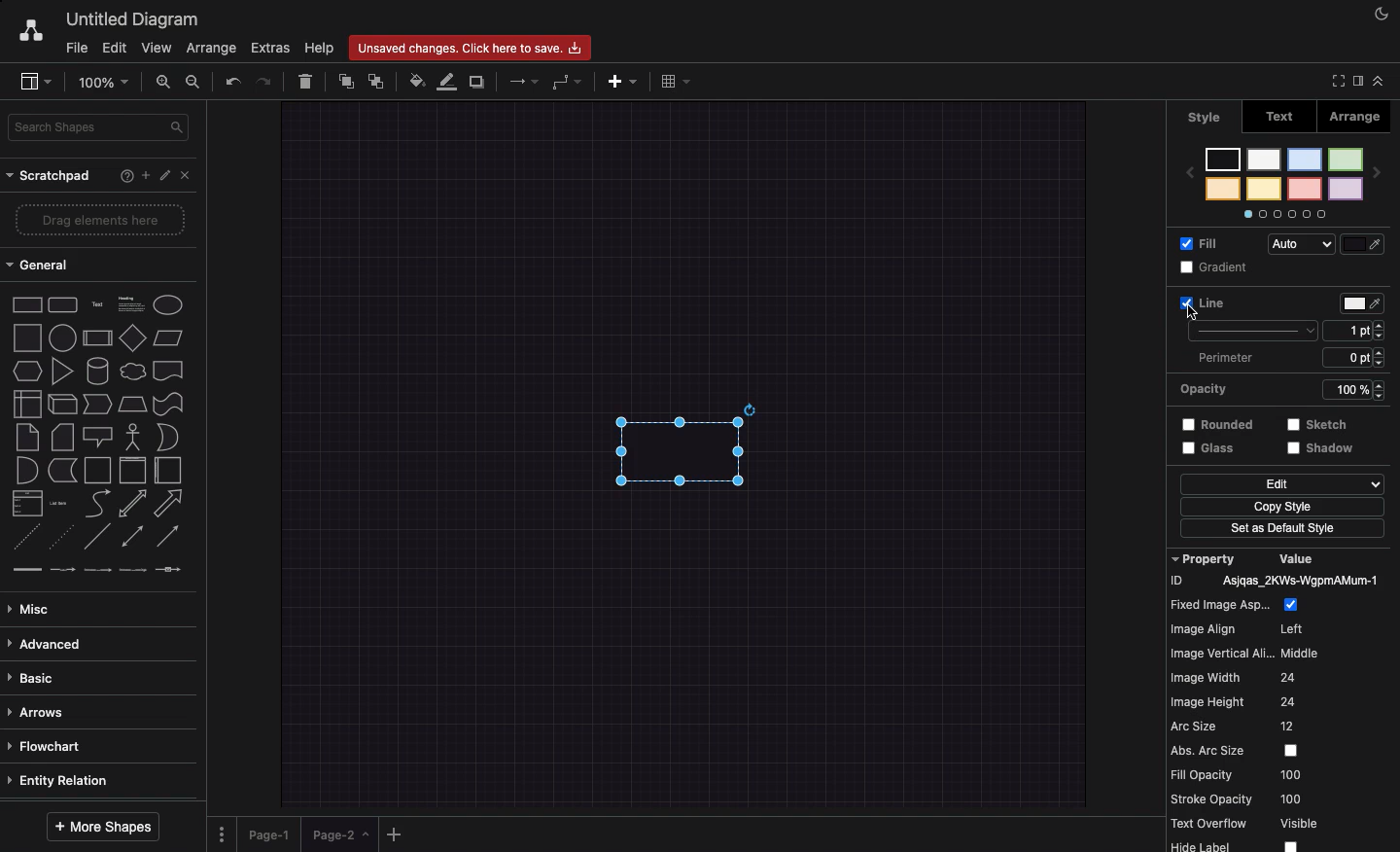  I want to click on Duplicate, so click(479, 79).